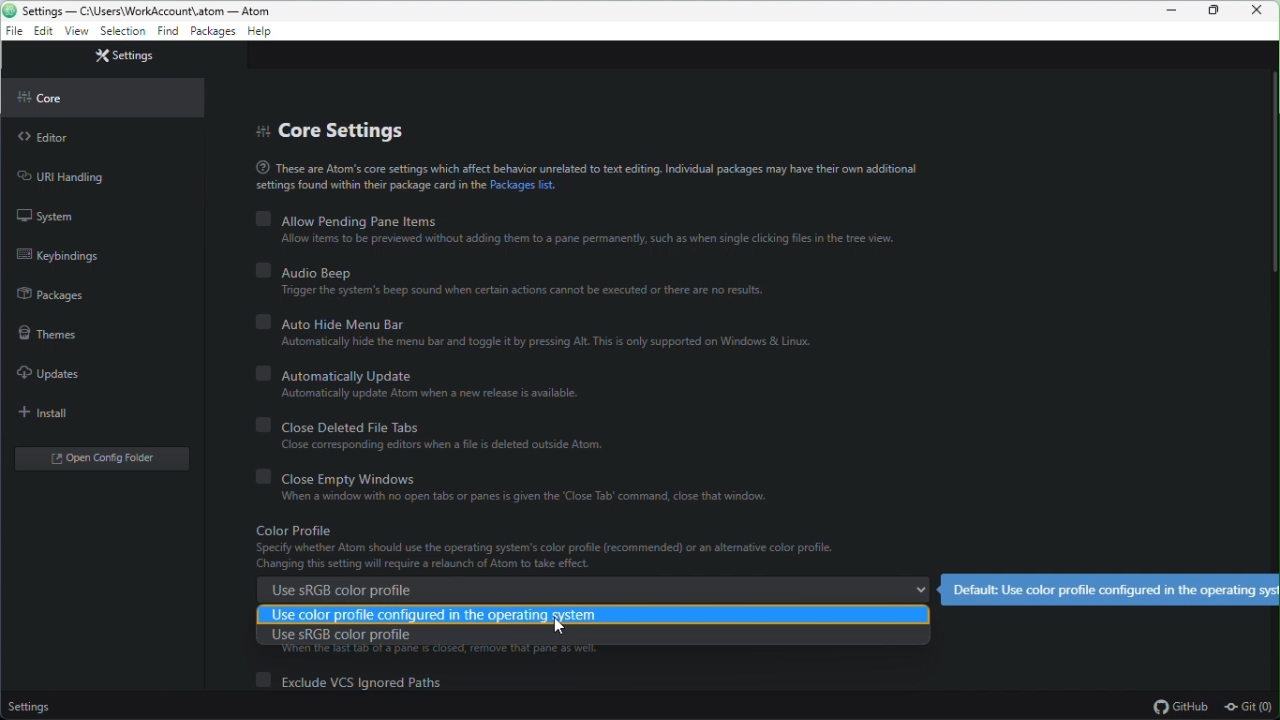 This screenshot has width=1280, height=720. Describe the element at coordinates (357, 680) in the screenshot. I see `Exclude VCS ignored path` at that location.